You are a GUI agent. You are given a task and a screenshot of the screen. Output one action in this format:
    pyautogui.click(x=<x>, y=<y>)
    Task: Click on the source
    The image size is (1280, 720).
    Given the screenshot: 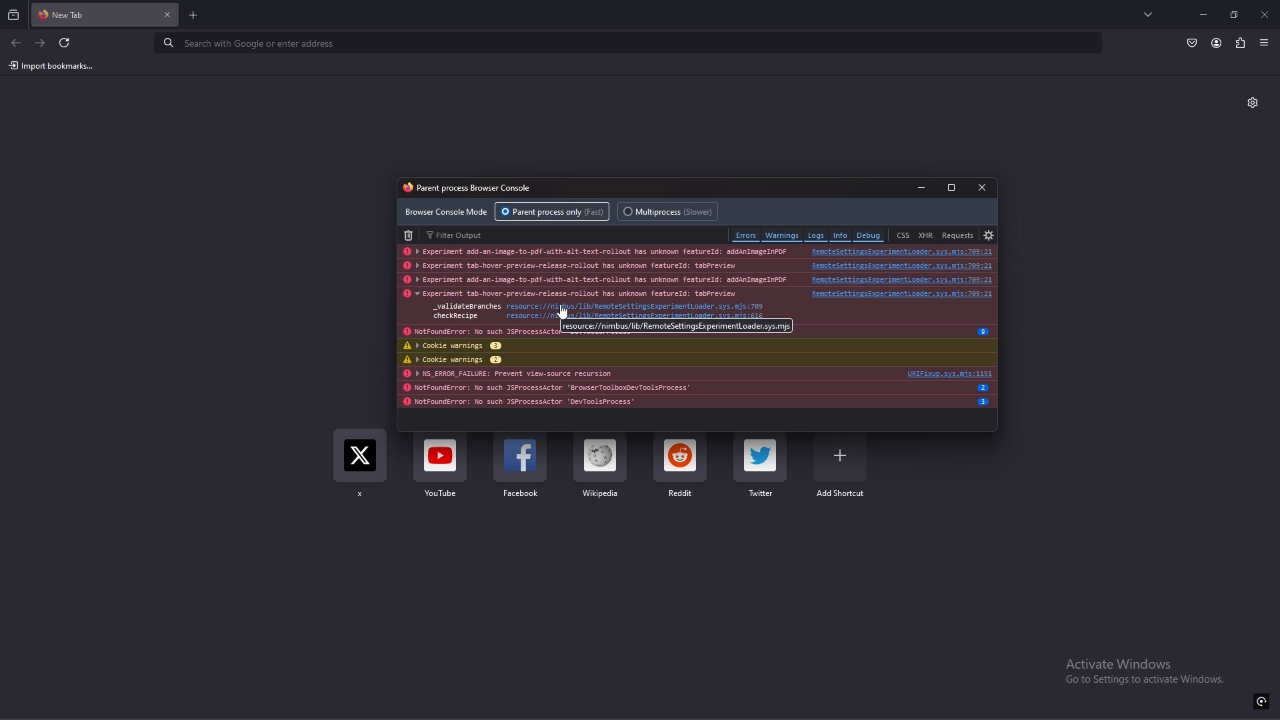 What is the action you would take?
    pyautogui.click(x=900, y=252)
    